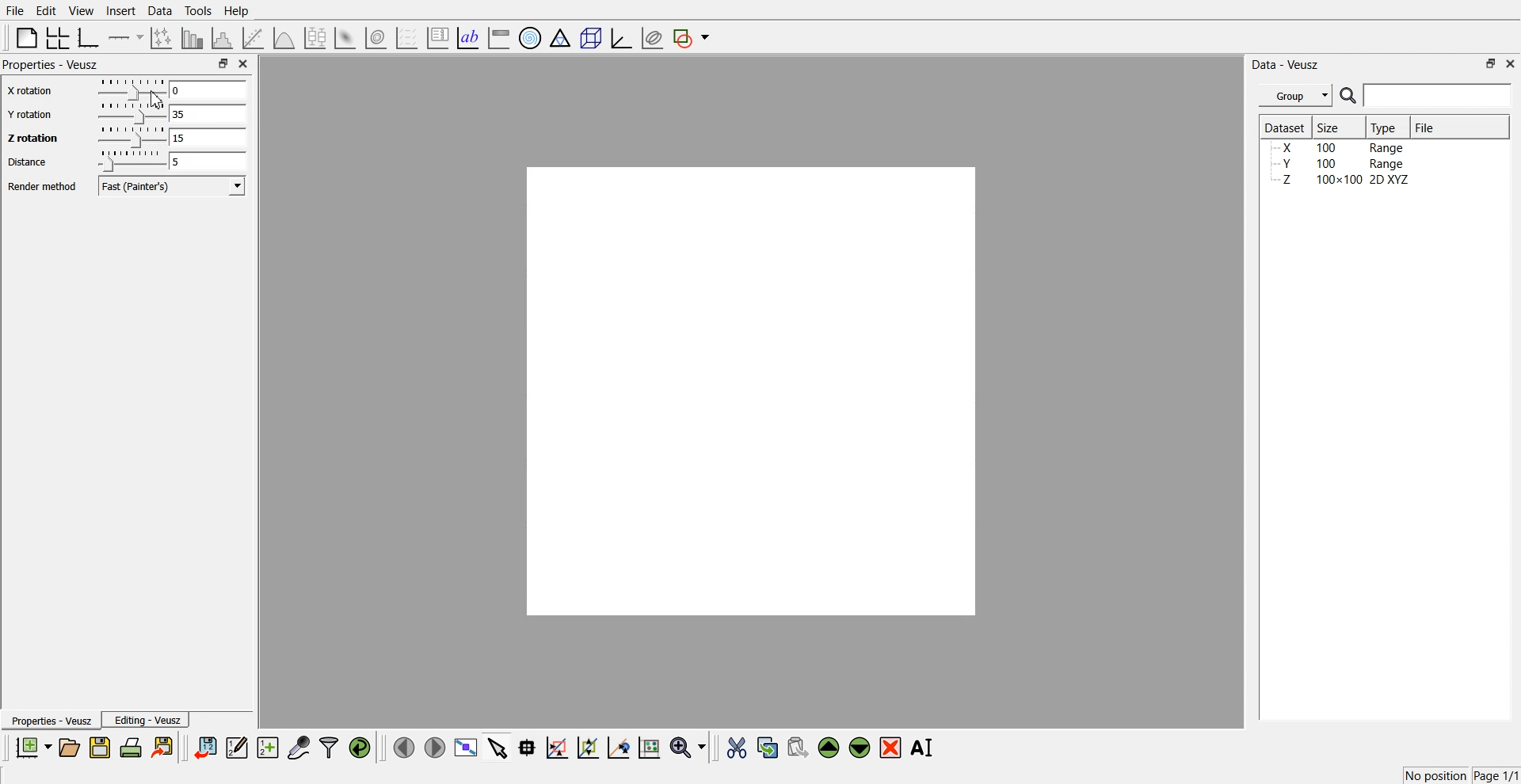  I want to click on Z rotation, so click(30, 138).